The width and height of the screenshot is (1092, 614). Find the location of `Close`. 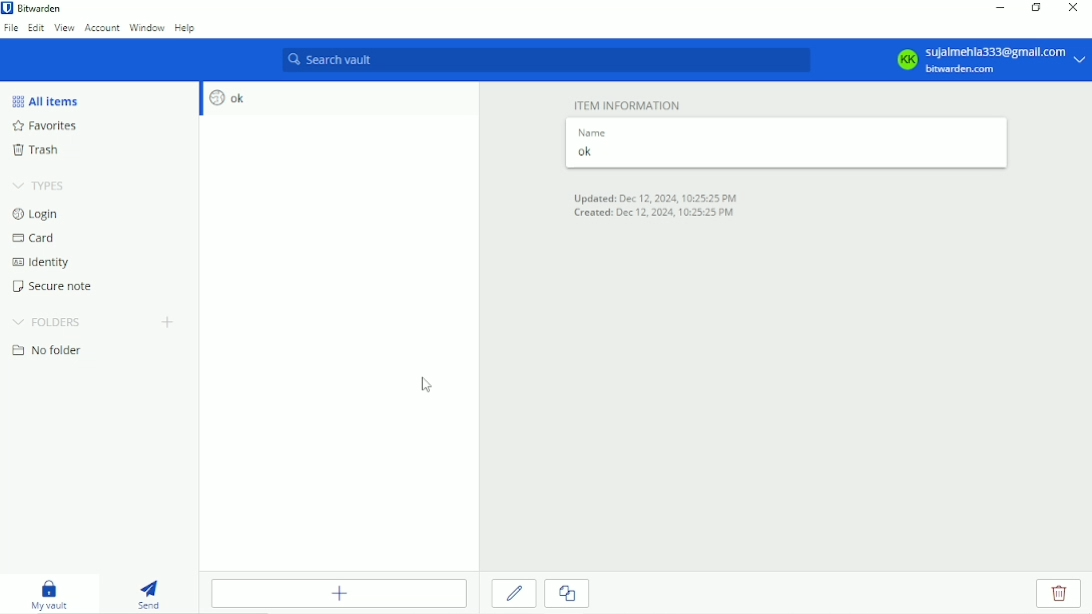

Close is located at coordinates (1071, 9).